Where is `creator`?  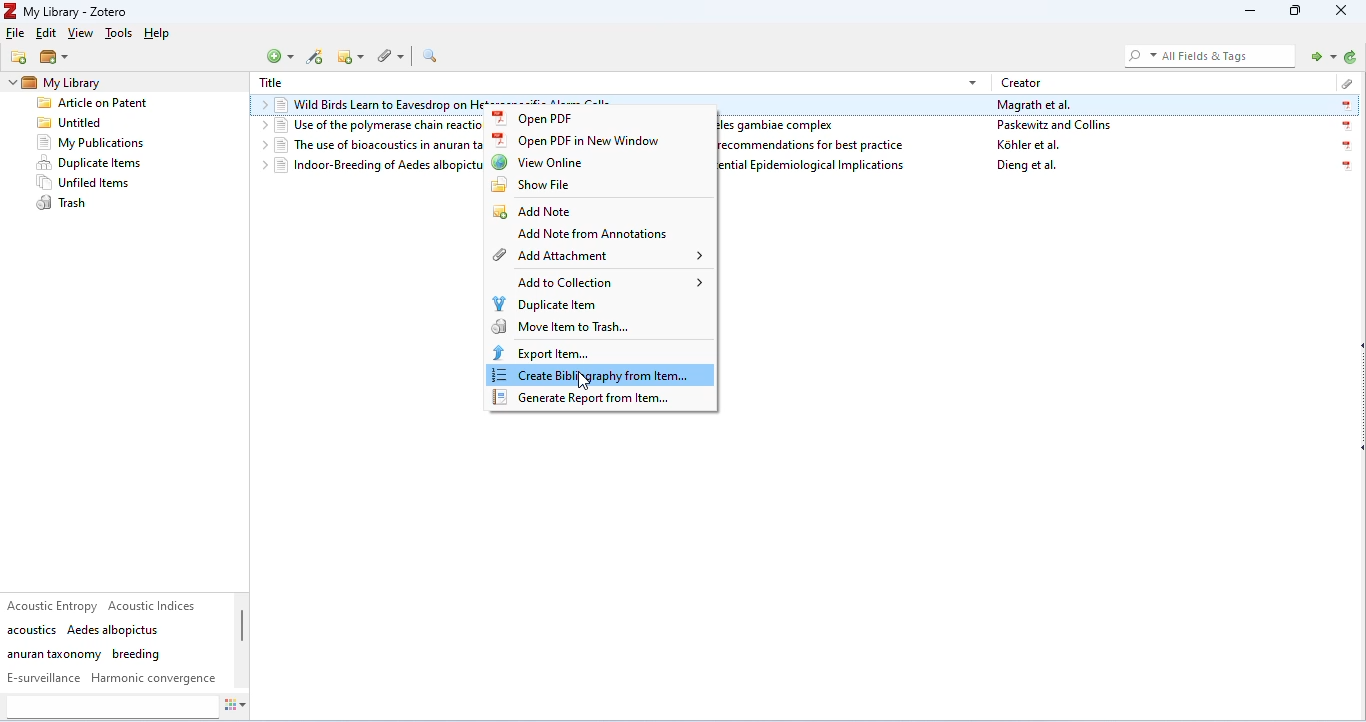 creator is located at coordinates (1023, 82).